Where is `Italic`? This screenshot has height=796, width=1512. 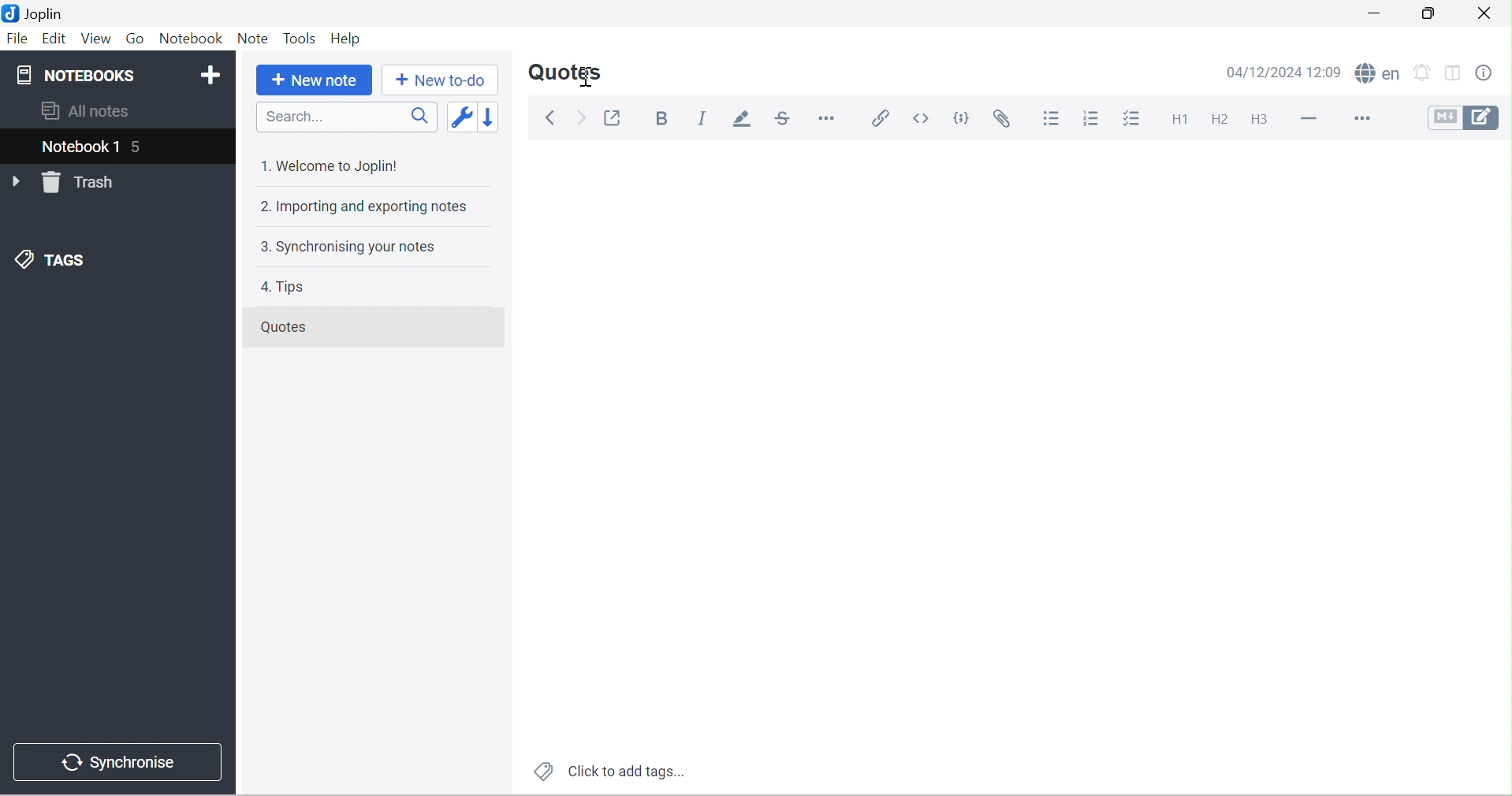
Italic is located at coordinates (707, 118).